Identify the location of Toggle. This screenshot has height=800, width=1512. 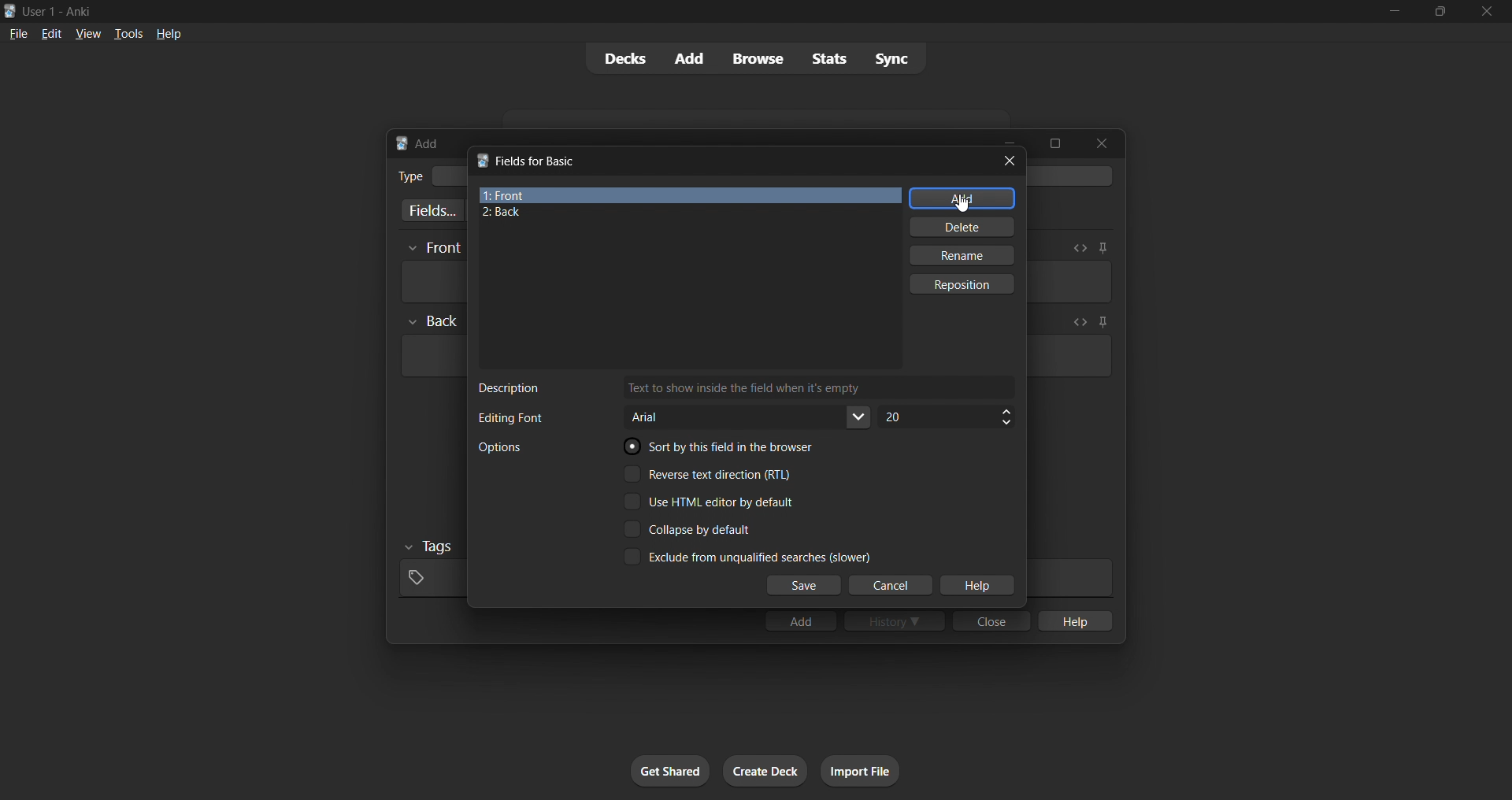
(710, 502).